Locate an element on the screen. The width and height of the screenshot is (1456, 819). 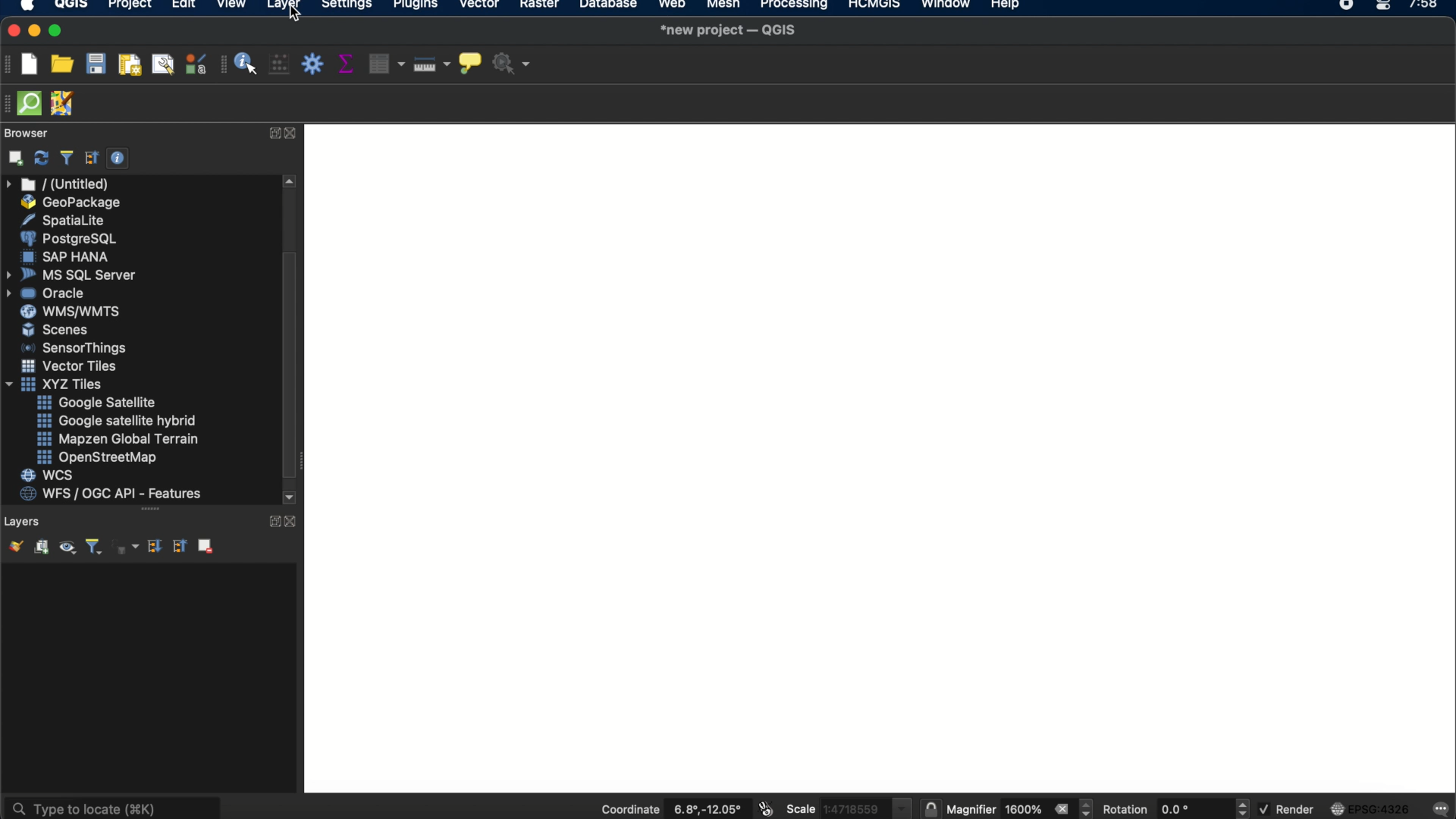
collapse all is located at coordinates (178, 545).